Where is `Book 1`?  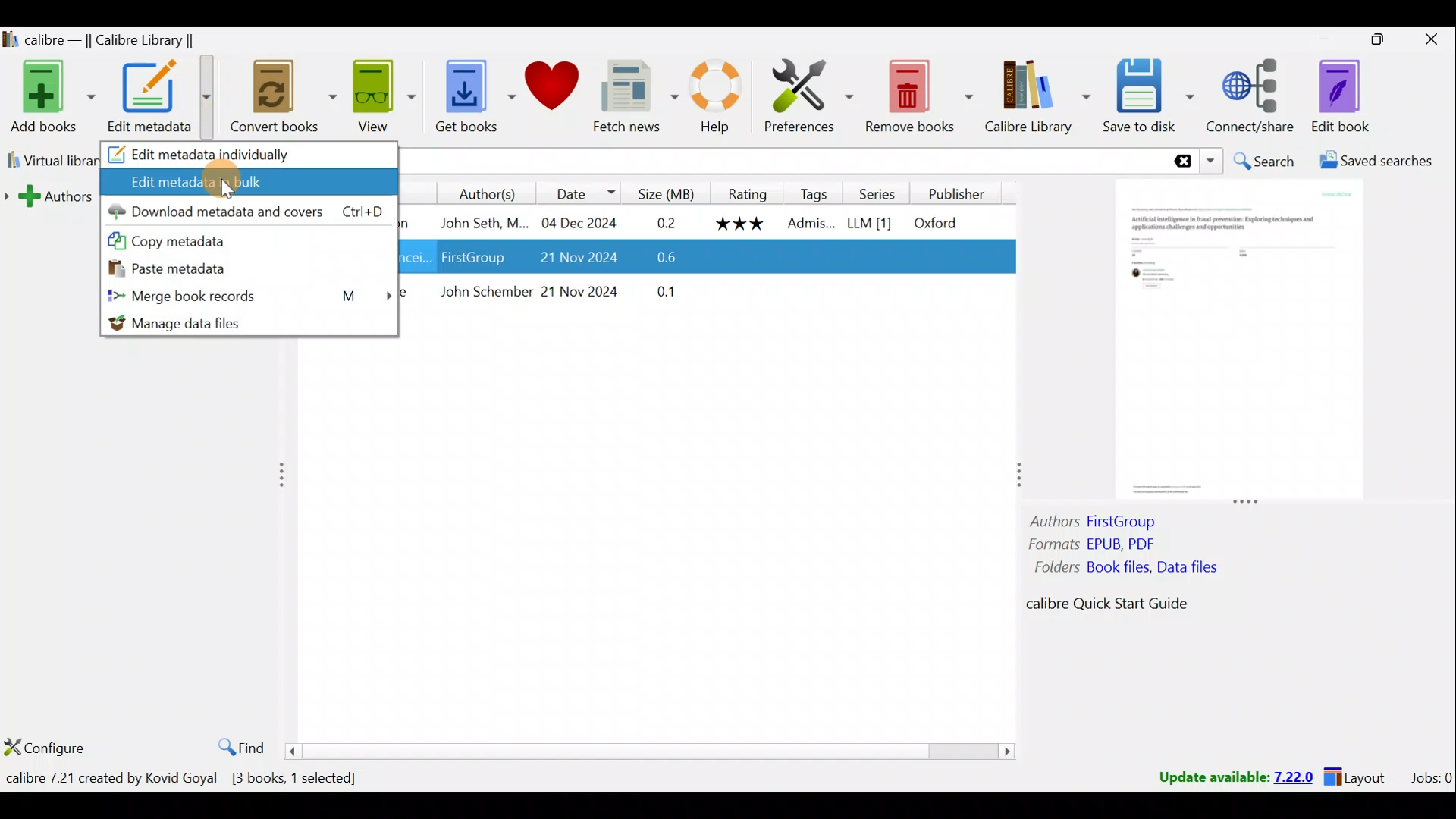
Book 1 is located at coordinates (699, 221).